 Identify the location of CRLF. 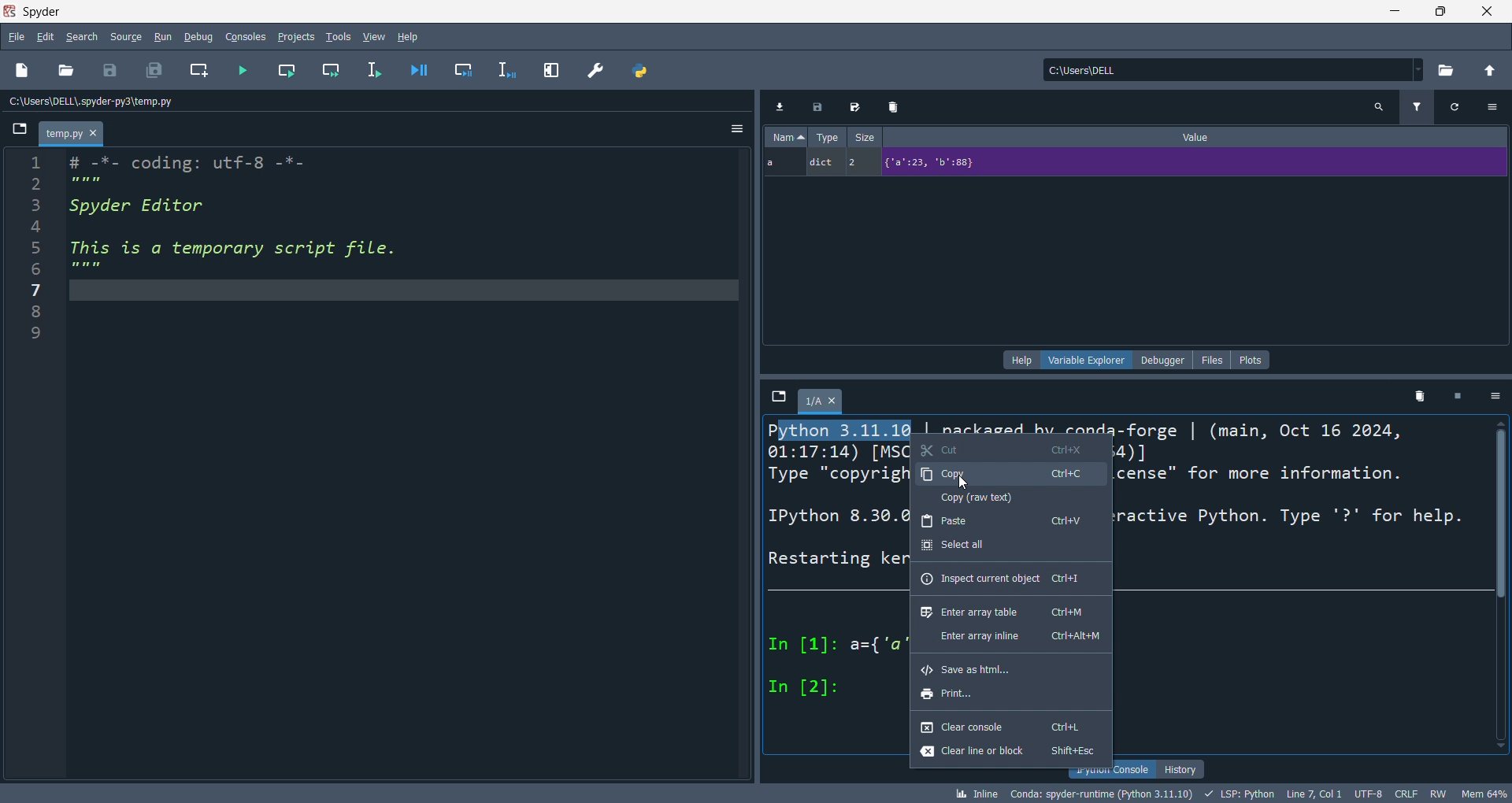
(1409, 792).